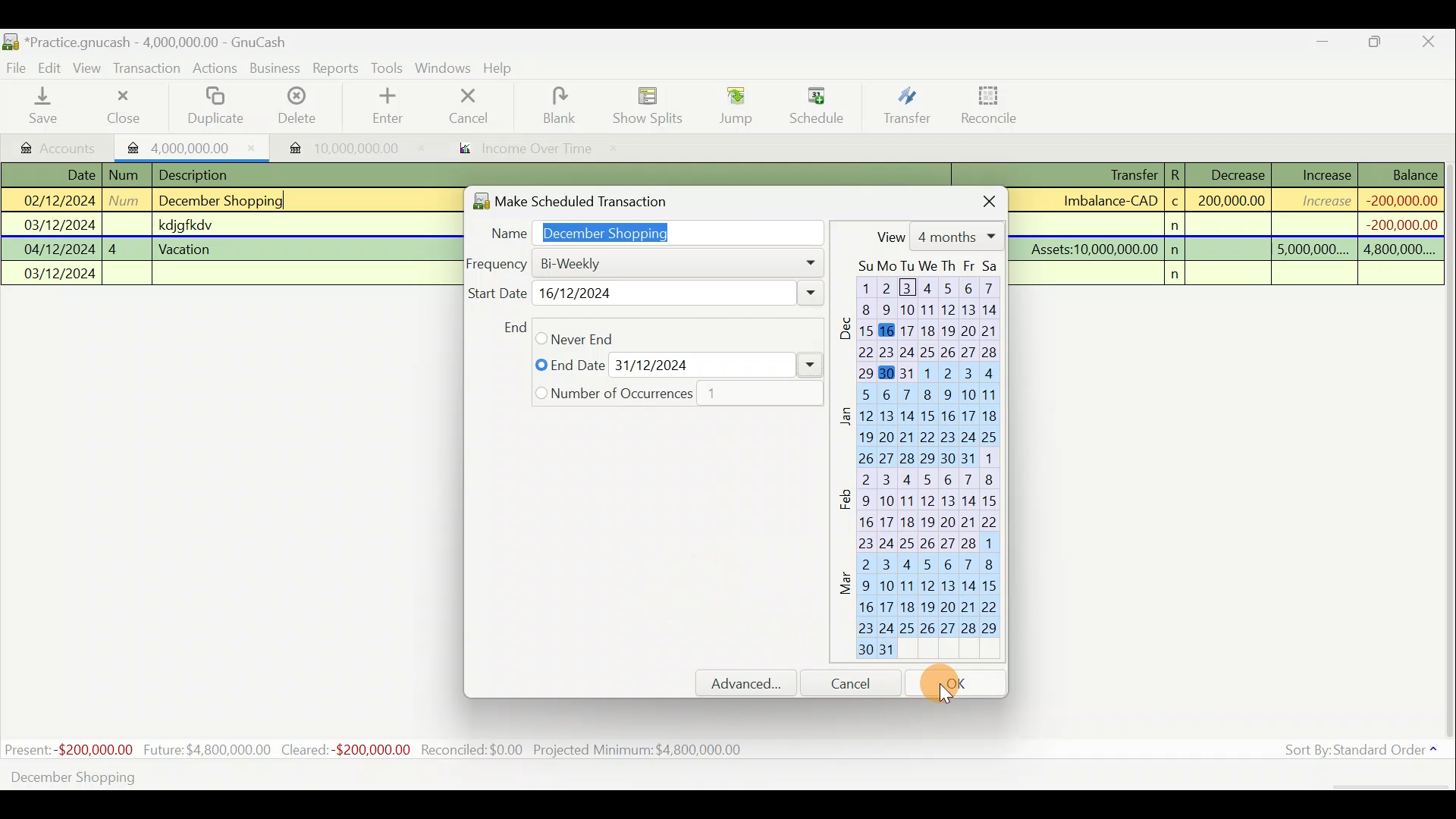 Image resolution: width=1456 pixels, height=819 pixels. What do you see at coordinates (187, 227) in the screenshot?
I see `Lines of transactions` at bounding box center [187, 227].